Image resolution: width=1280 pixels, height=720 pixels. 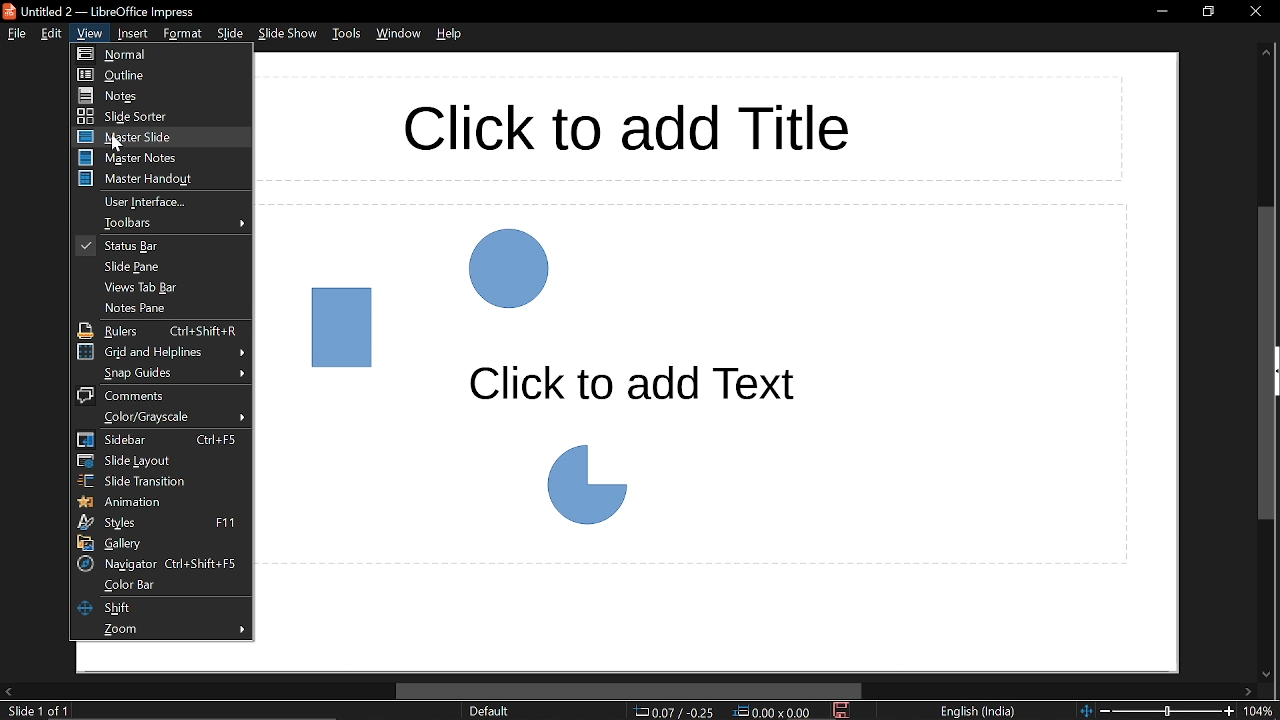 I want to click on Move left, so click(x=8, y=691).